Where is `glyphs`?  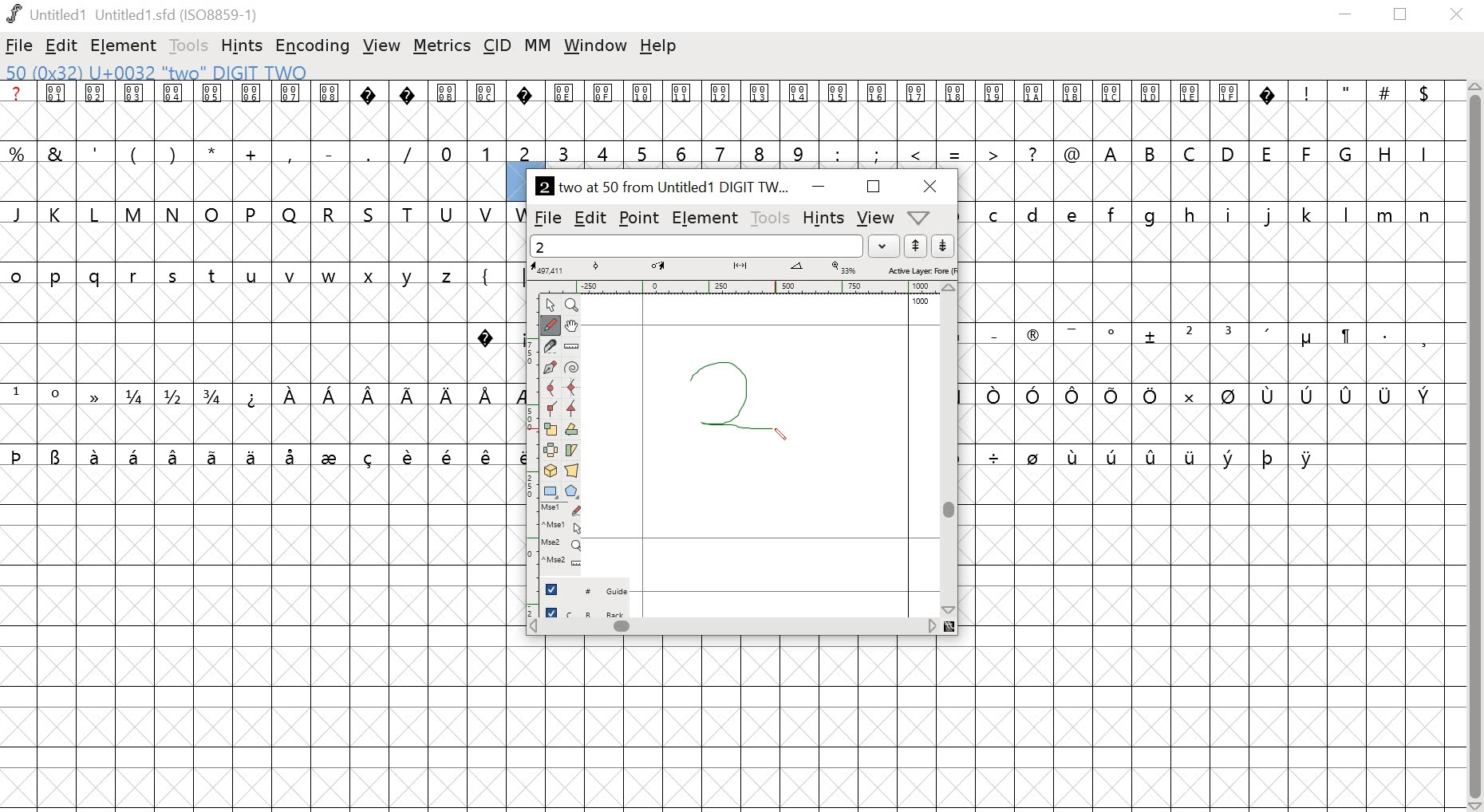
glyphs is located at coordinates (1214, 340).